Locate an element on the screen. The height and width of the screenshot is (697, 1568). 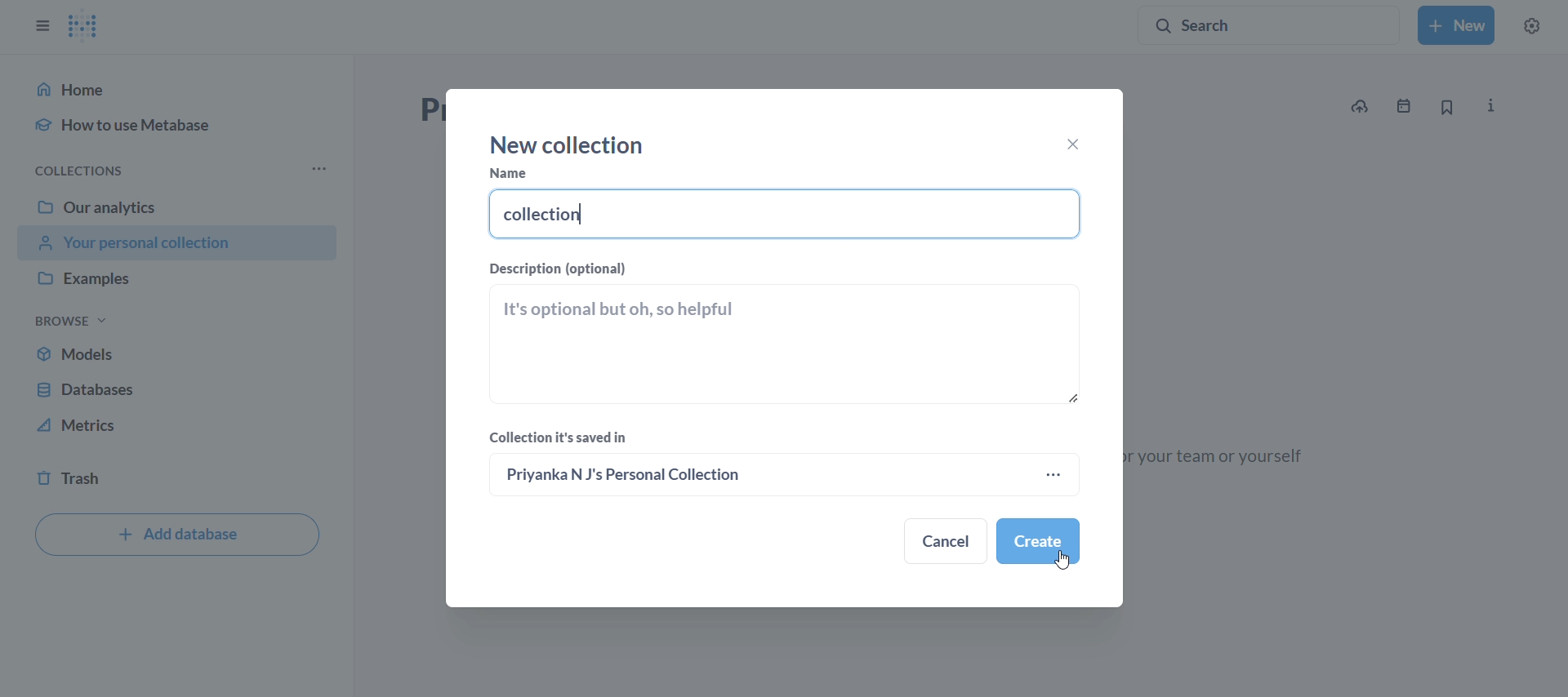
examples is located at coordinates (176, 279).